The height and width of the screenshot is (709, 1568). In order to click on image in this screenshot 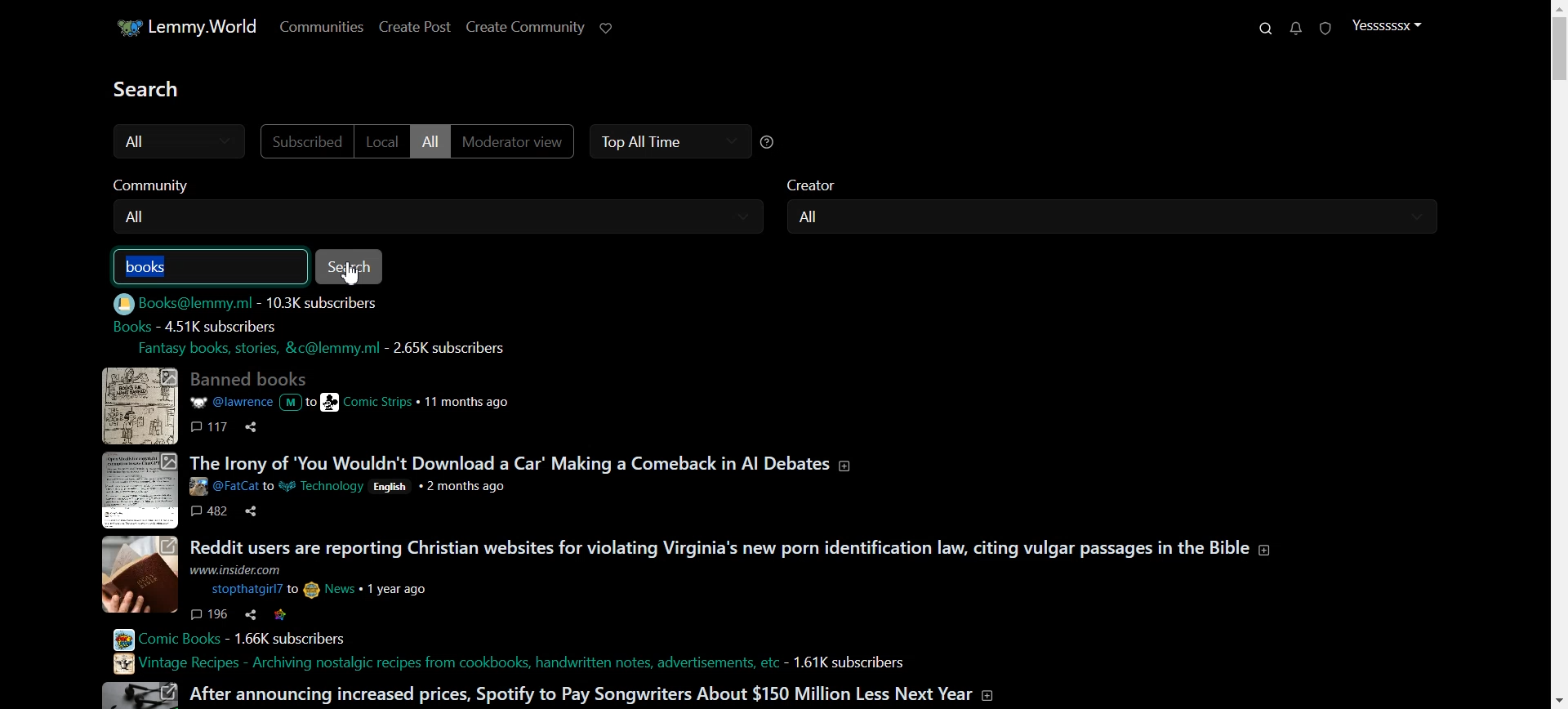, I will do `click(136, 404)`.